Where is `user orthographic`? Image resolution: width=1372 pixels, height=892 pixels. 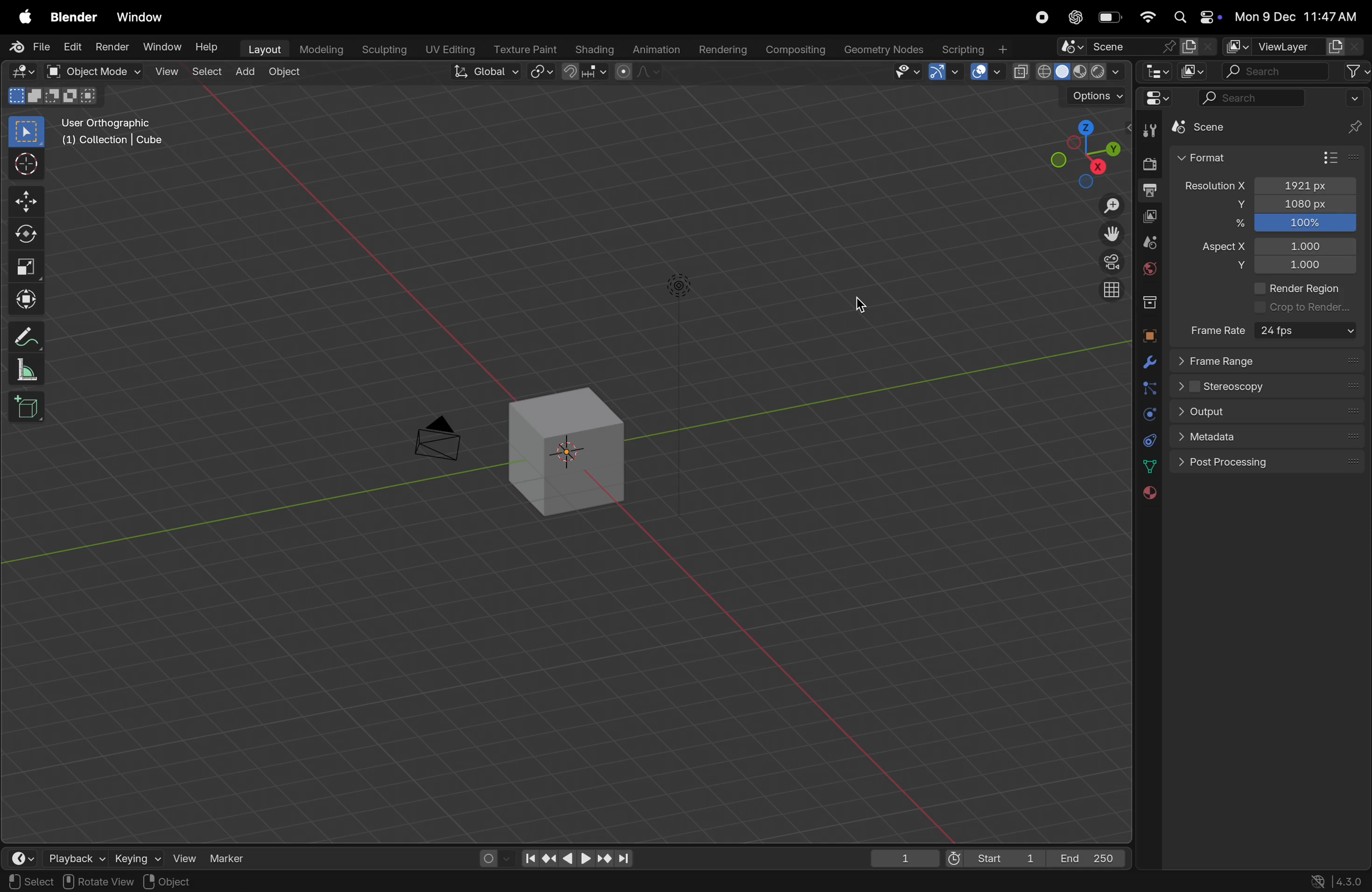
user orthographic is located at coordinates (114, 133).